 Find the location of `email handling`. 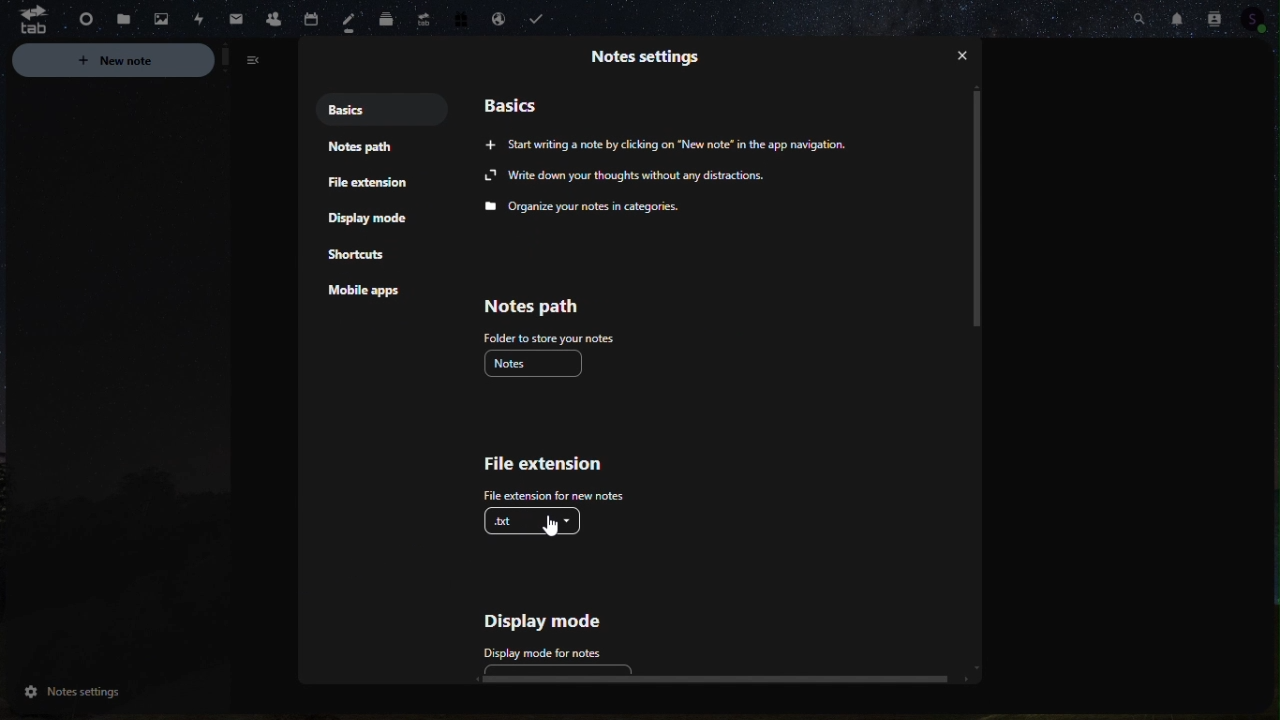

email handling is located at coordinates (494, 17).